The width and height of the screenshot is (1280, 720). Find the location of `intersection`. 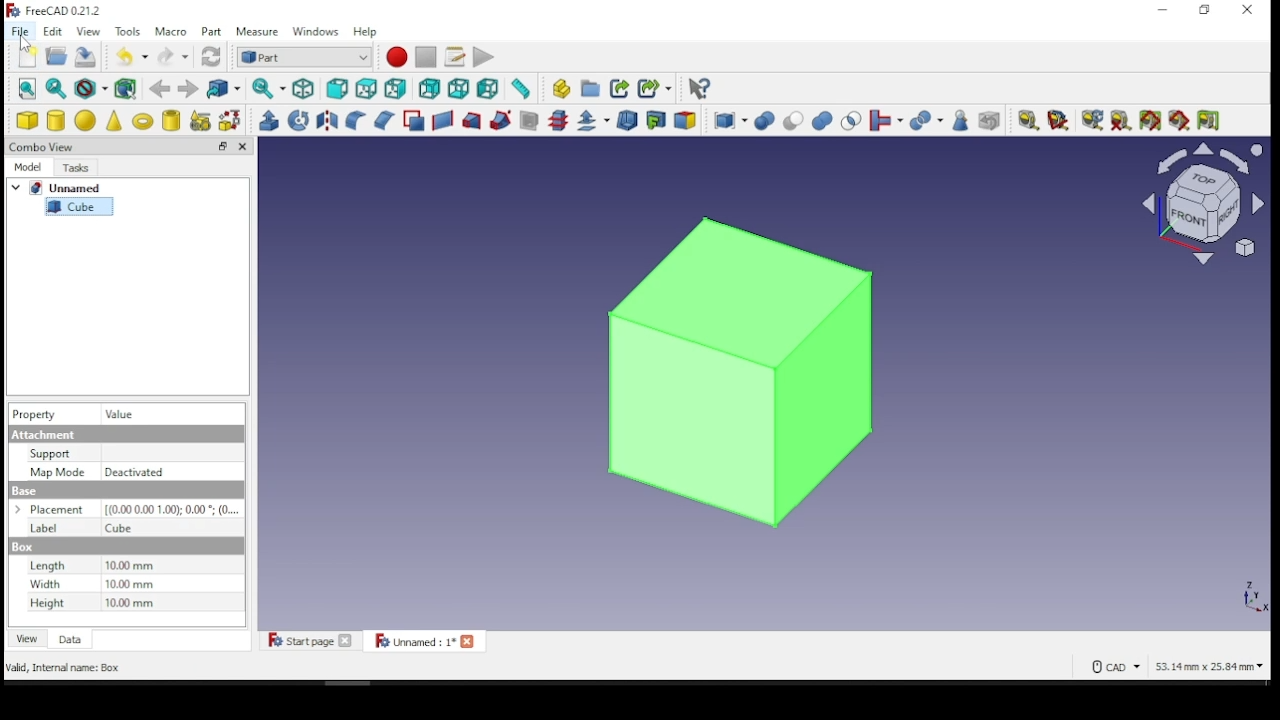

intersection is located at coordinates (850, 122).